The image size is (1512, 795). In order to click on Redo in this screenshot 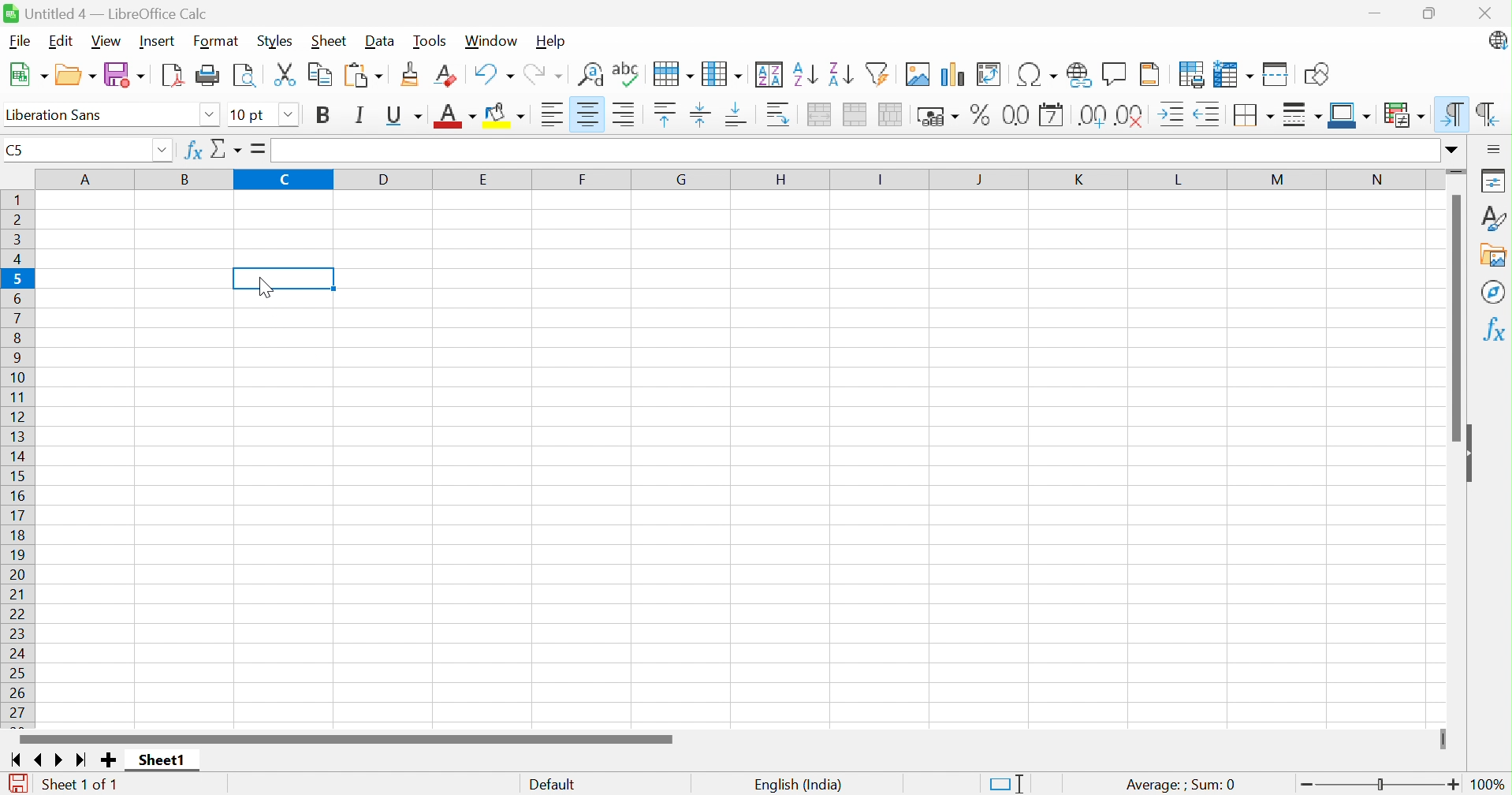, I will do `click(546, 73)`.